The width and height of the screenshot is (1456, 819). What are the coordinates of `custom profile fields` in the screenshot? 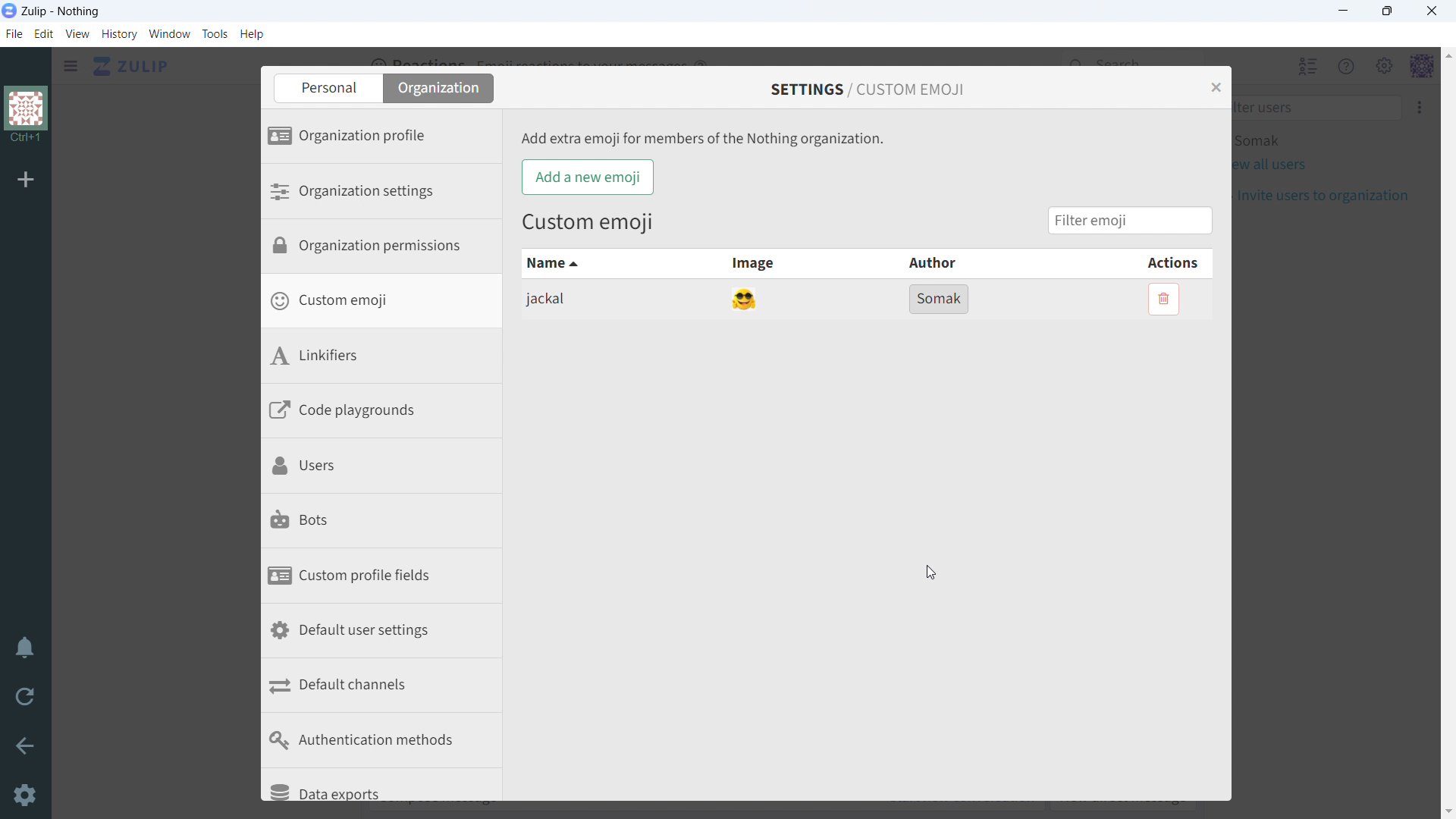 It's located at (388, 577).